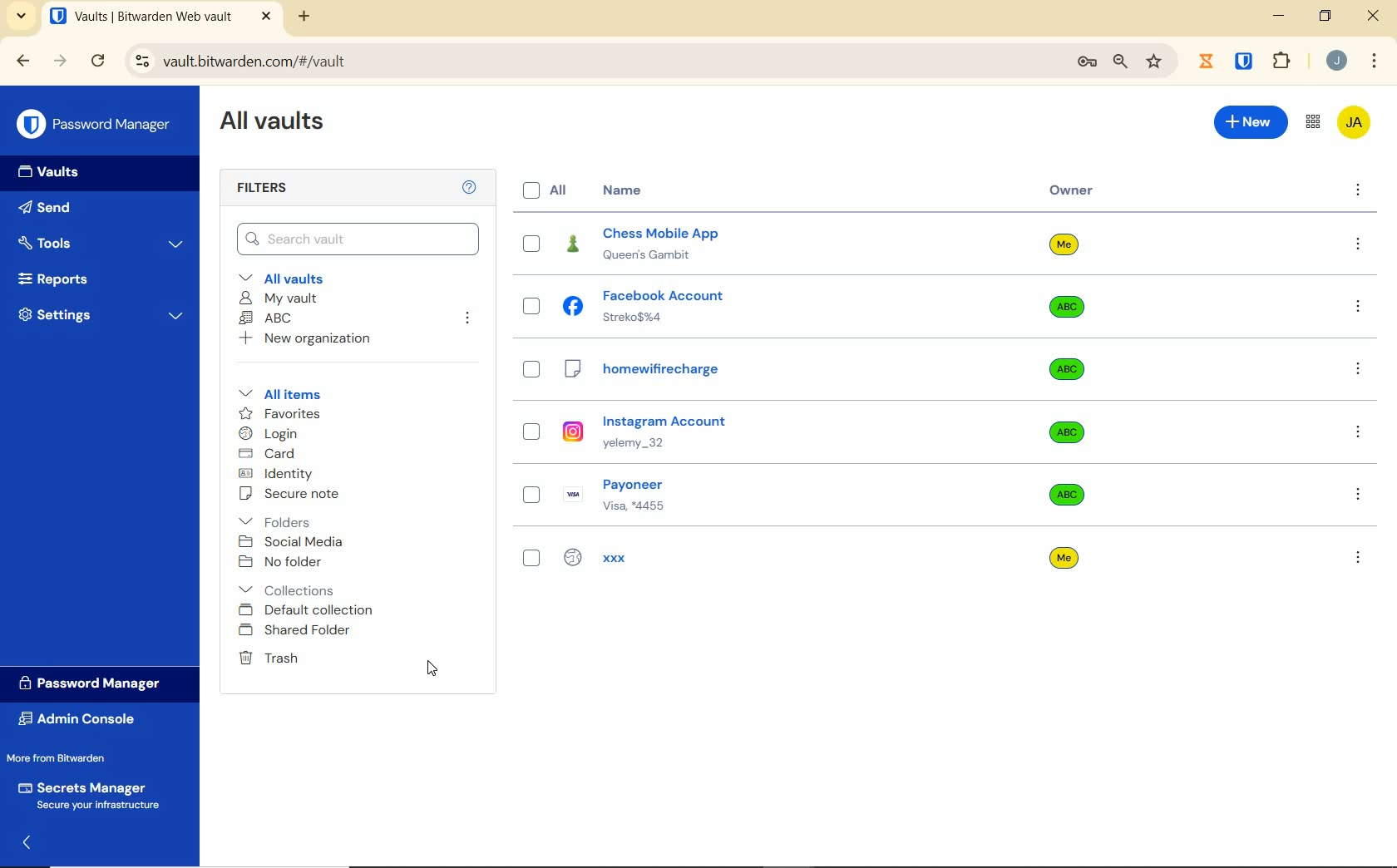 The height and width of the screenshot is (868, 1397). Describe the element at coordinates (1360, 245) in the screenshot. I see `more options` at that location.